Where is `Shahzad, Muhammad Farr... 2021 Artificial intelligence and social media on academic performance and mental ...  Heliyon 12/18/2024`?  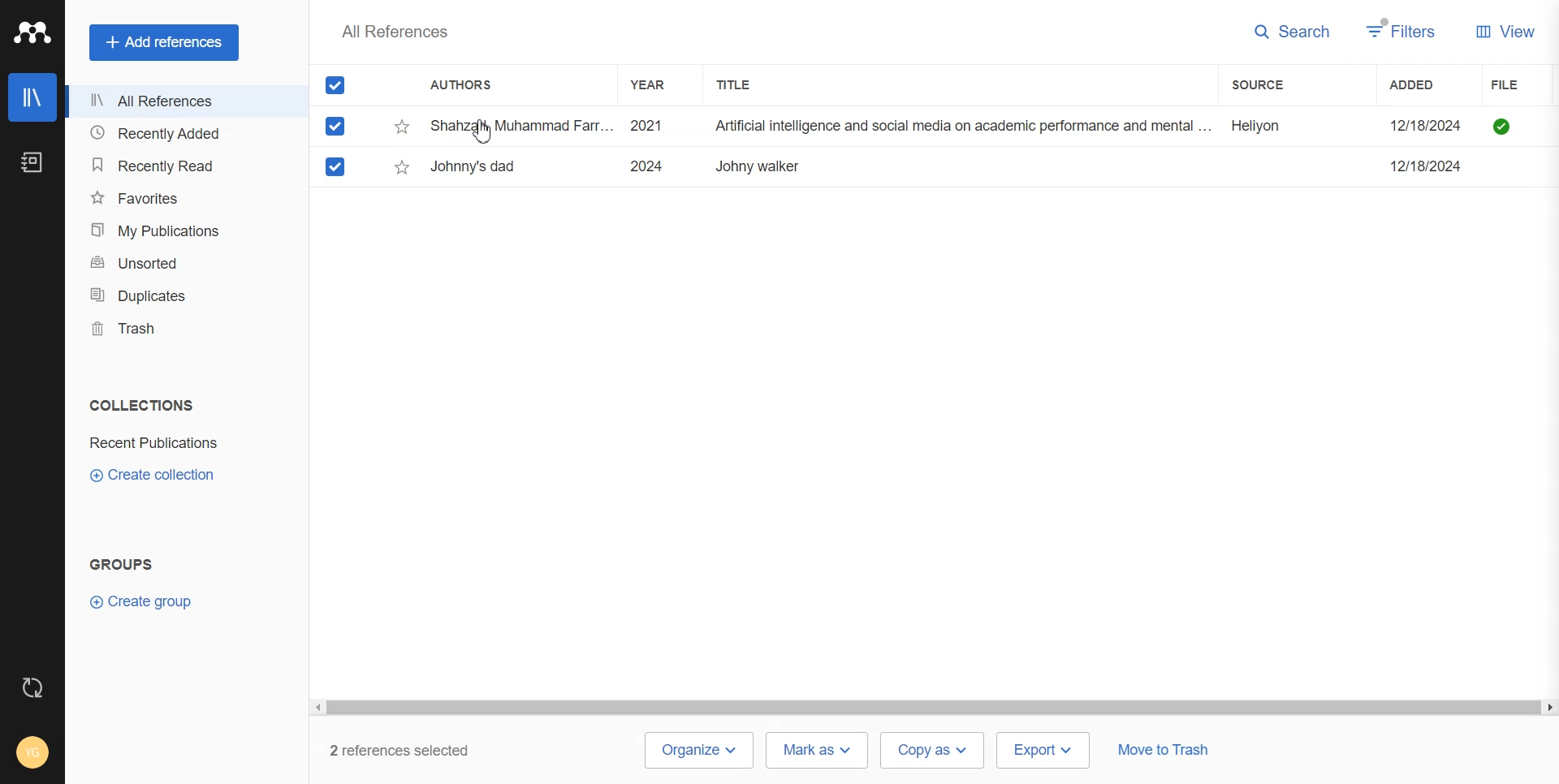 Shahzad, Muhammad Farr... 2021 Artificial intelligence and social media on academic performance and mental ...  Heliyon 12/18/2024 is located at coordinates (952, 127).